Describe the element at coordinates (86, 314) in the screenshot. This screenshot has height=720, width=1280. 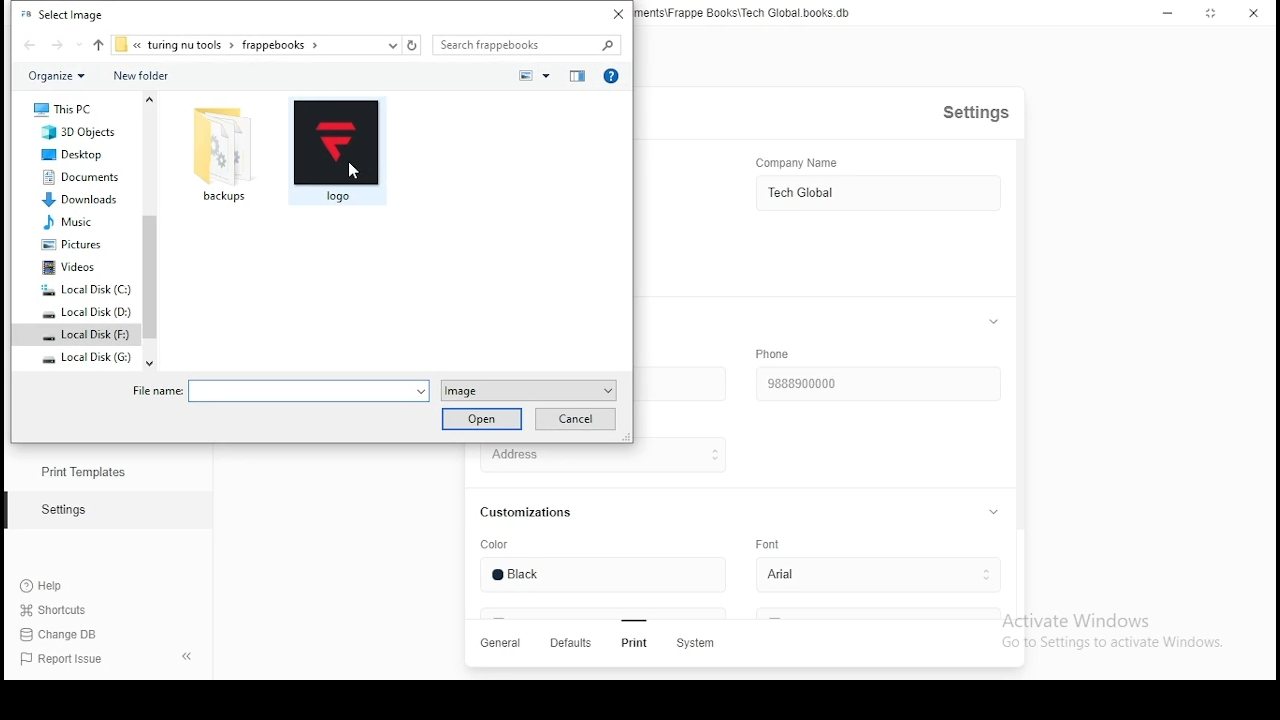
I see `Local Disk(D:)` at that location.